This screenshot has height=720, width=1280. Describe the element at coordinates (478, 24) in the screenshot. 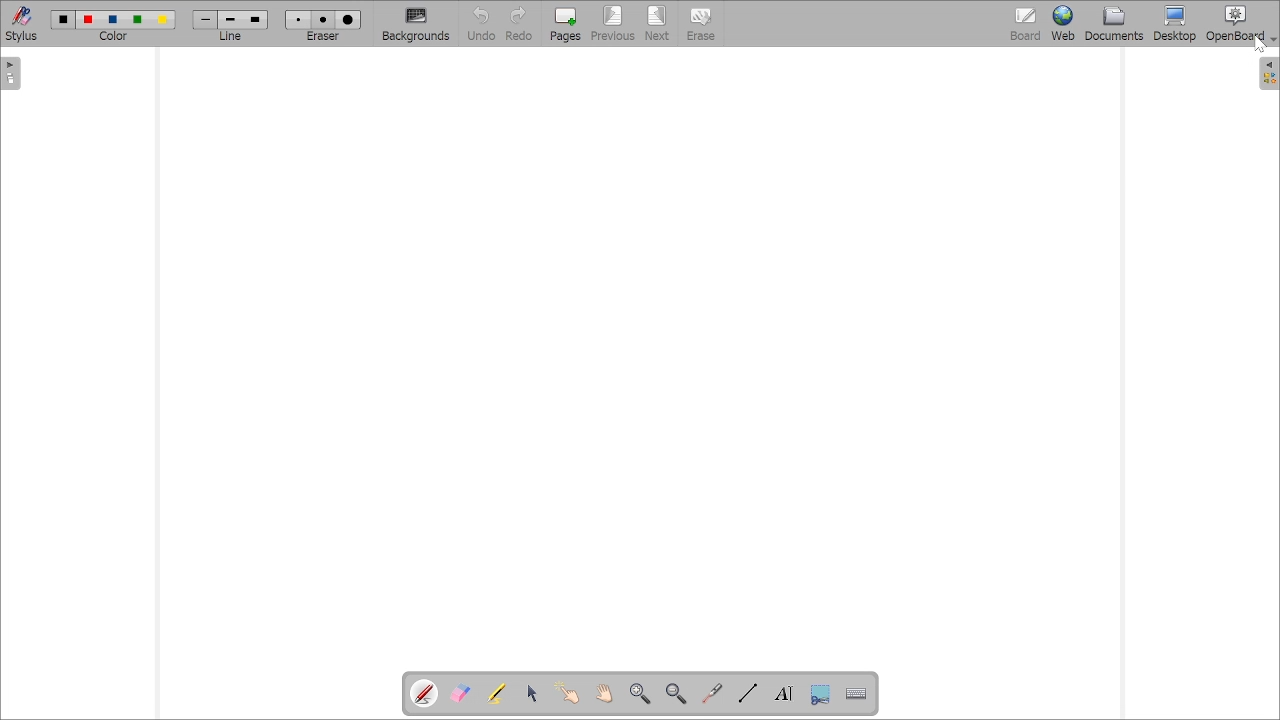

I see `` at that location.